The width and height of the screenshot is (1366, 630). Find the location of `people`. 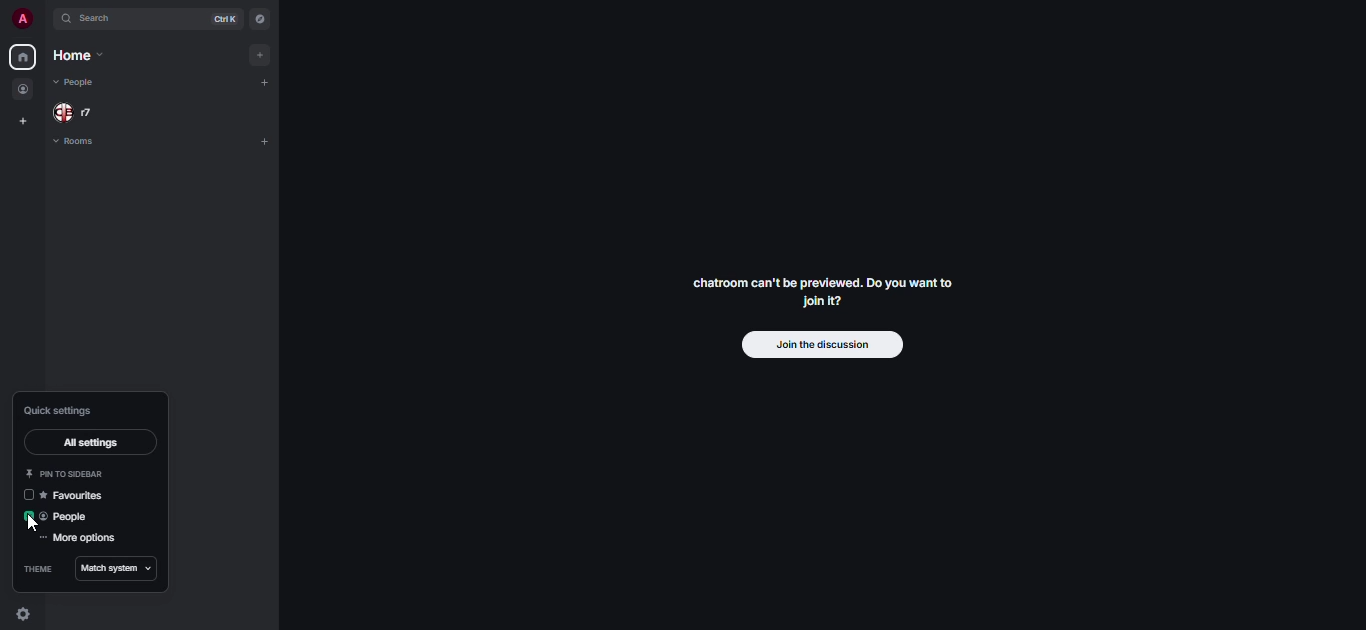

people is located at coordinates (69, 517).